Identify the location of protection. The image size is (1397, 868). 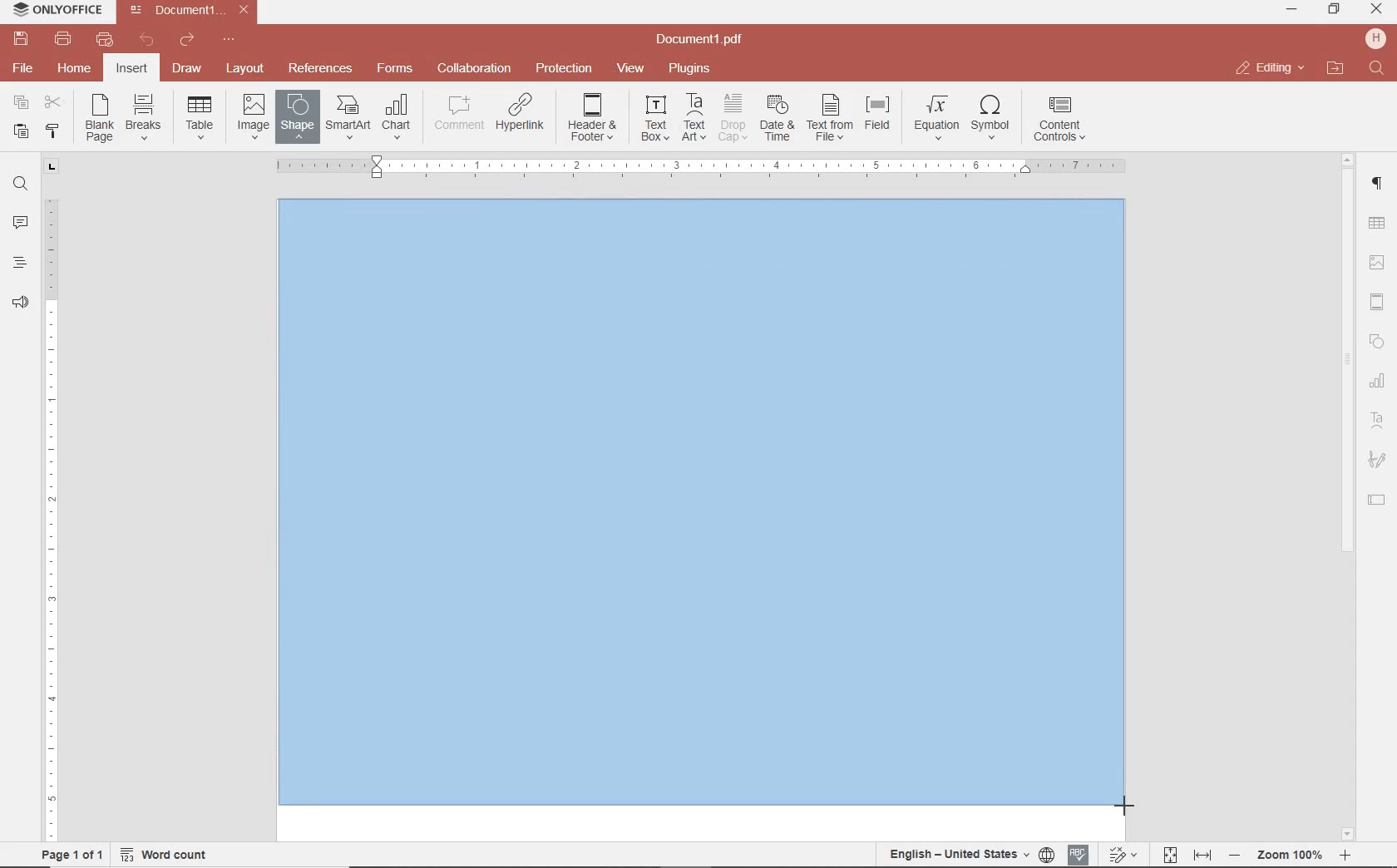
(565, 69).